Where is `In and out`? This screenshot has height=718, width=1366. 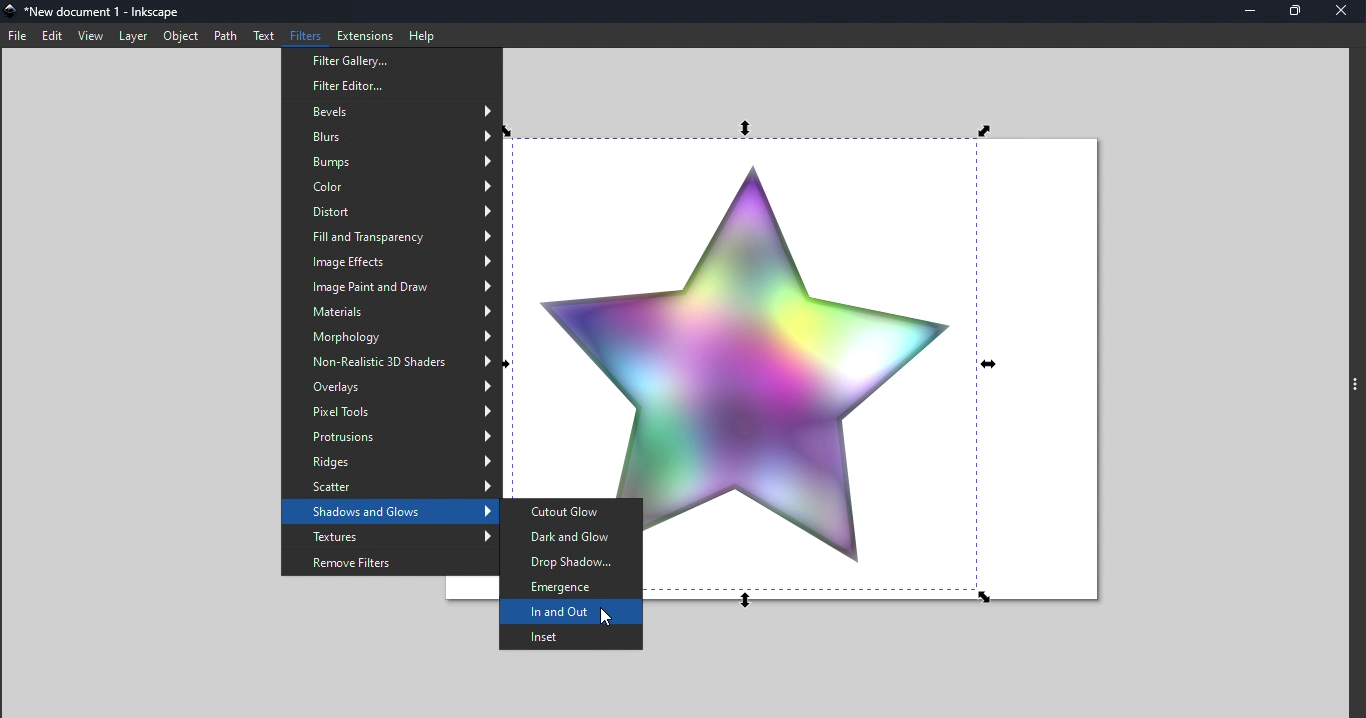
In and out is located at coordinates (574, 613).